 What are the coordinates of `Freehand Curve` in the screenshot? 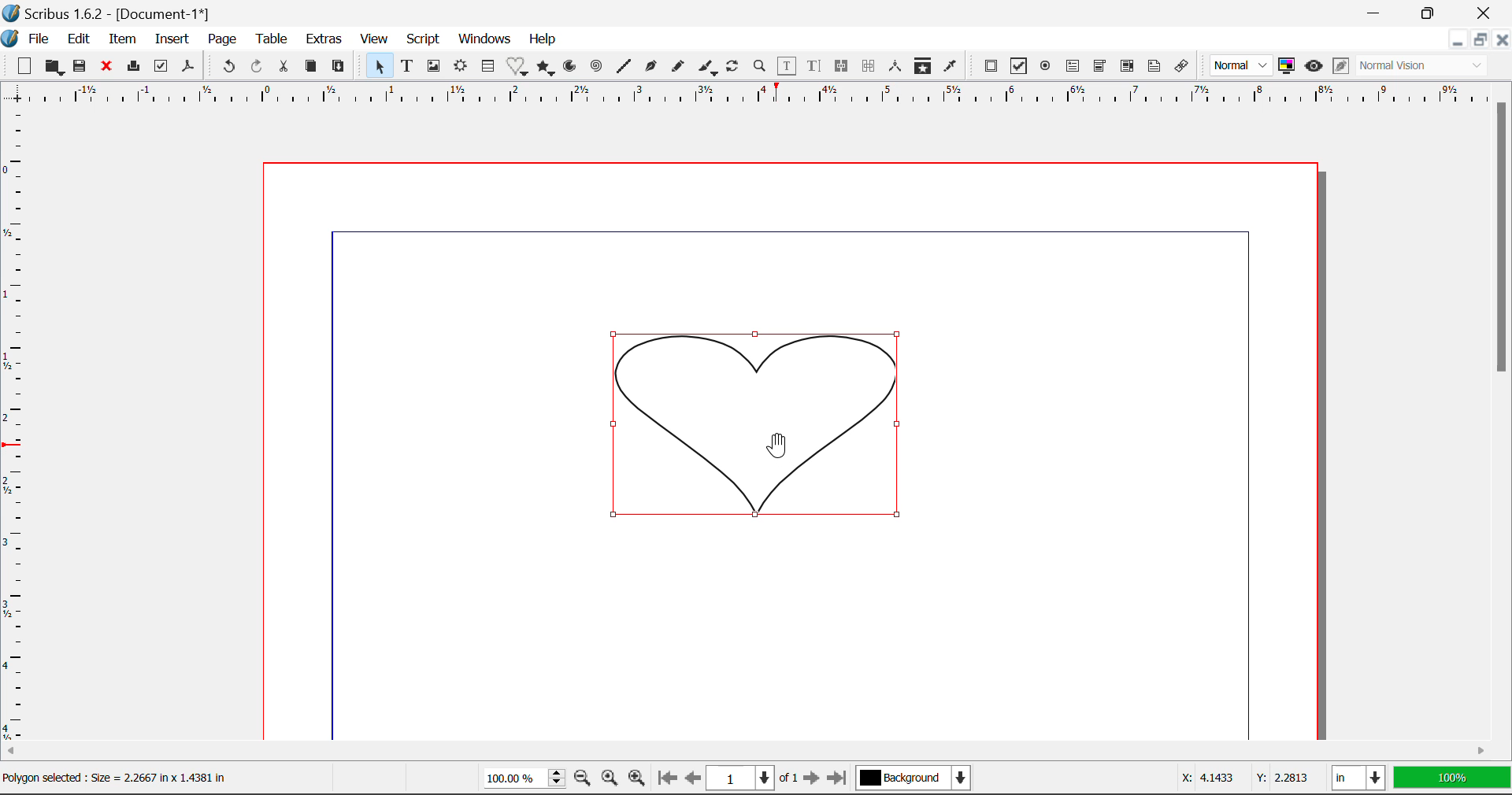 It's located at (680, 66).